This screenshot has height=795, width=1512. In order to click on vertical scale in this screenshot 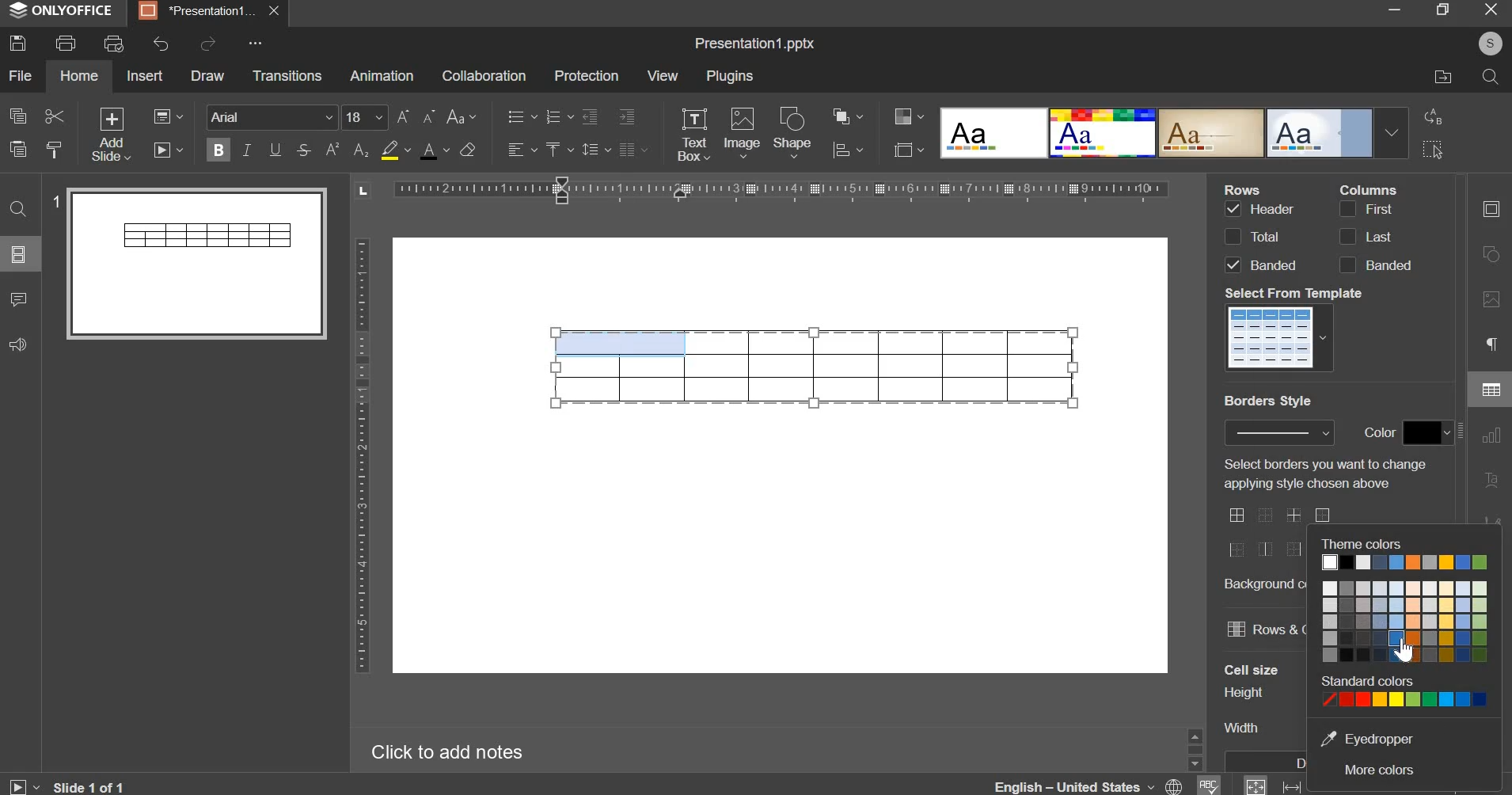, I will do `click(361, 455)`.